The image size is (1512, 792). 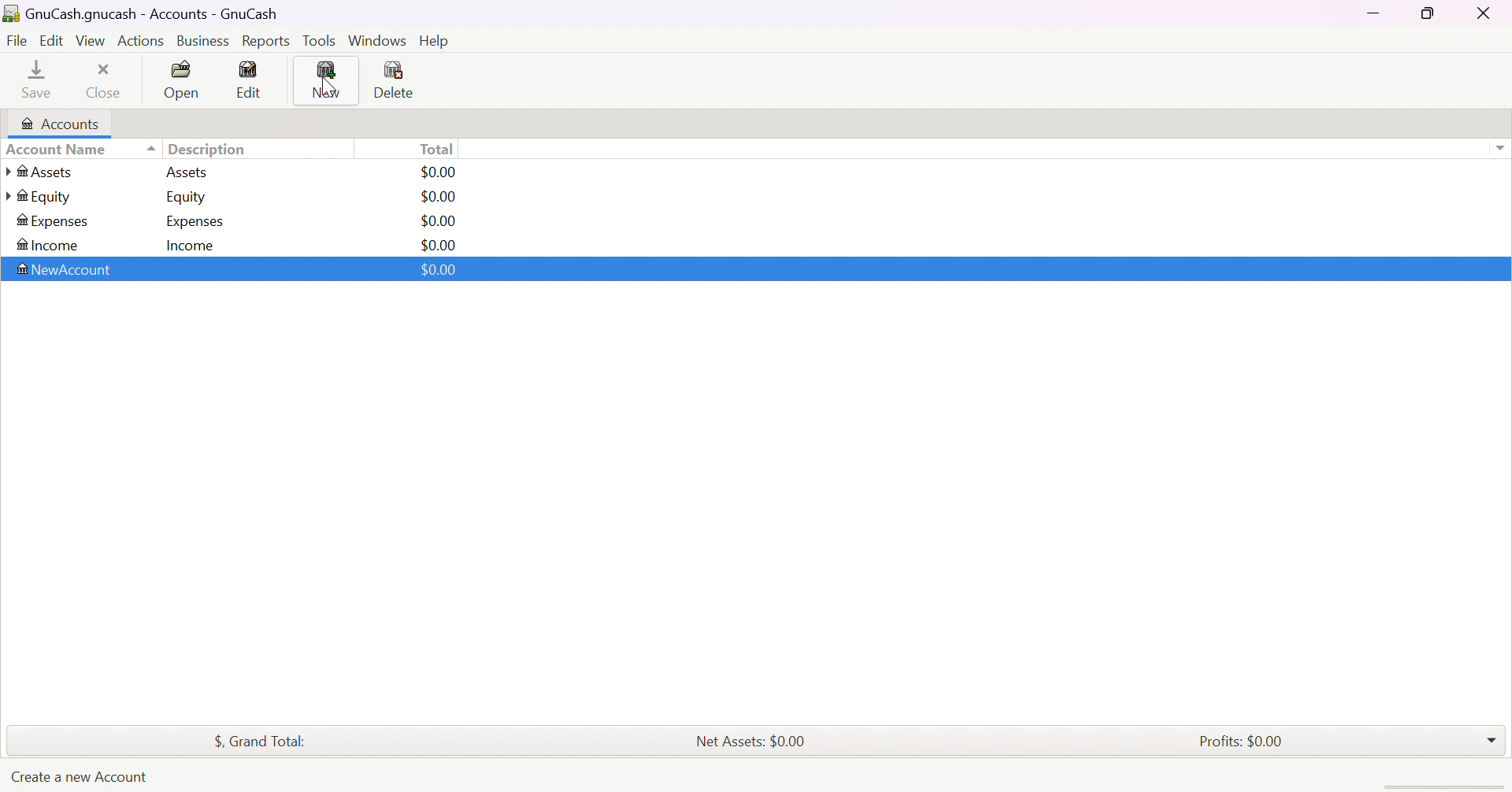 I want to click on Close, so click(x=1485, y=13).